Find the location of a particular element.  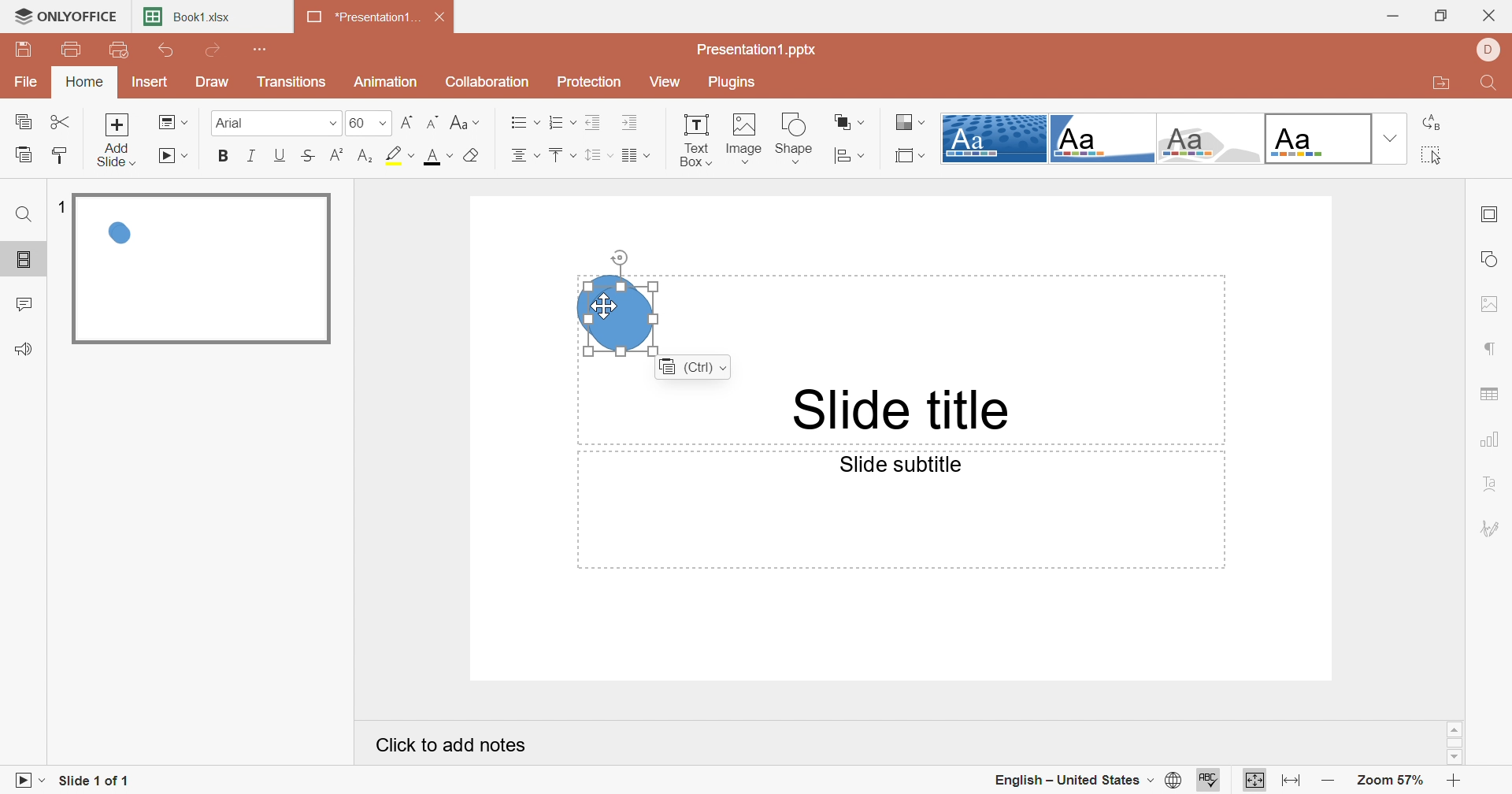

Cut is located at coordinates (61, 121).